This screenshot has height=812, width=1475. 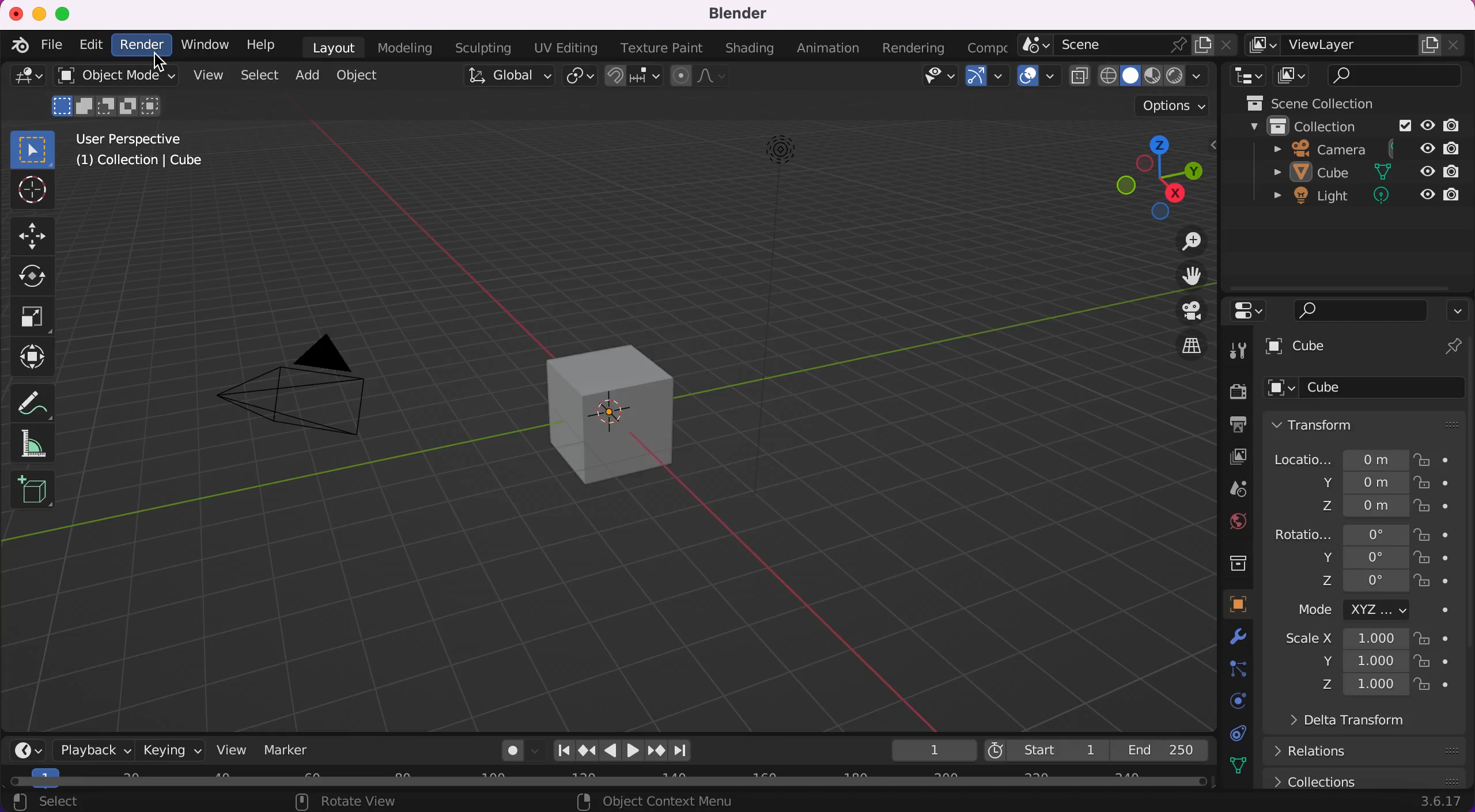 I want to click on sculpting, so click(x=482, y=47).